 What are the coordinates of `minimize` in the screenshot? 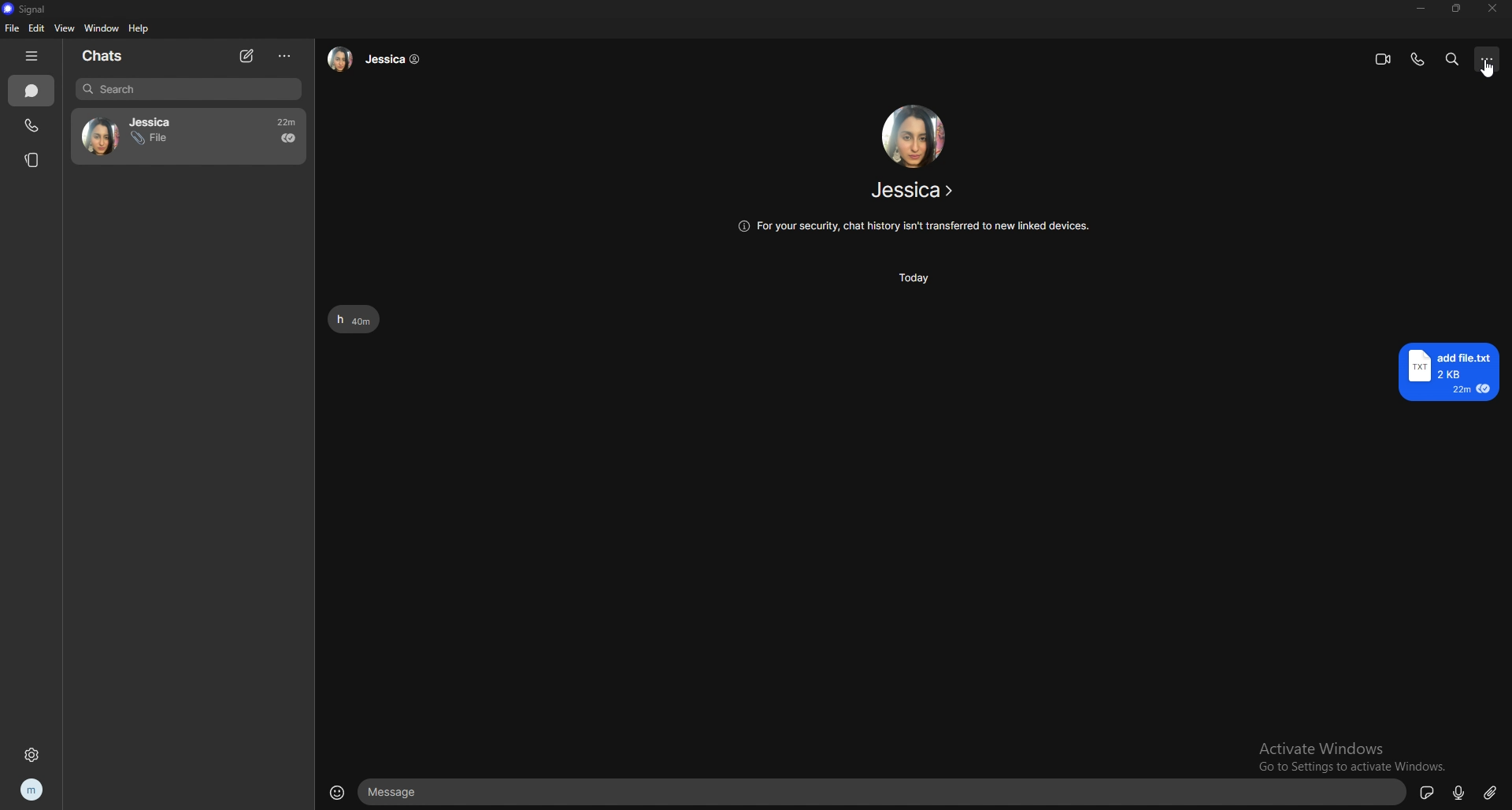 It's located at (1421, 9).